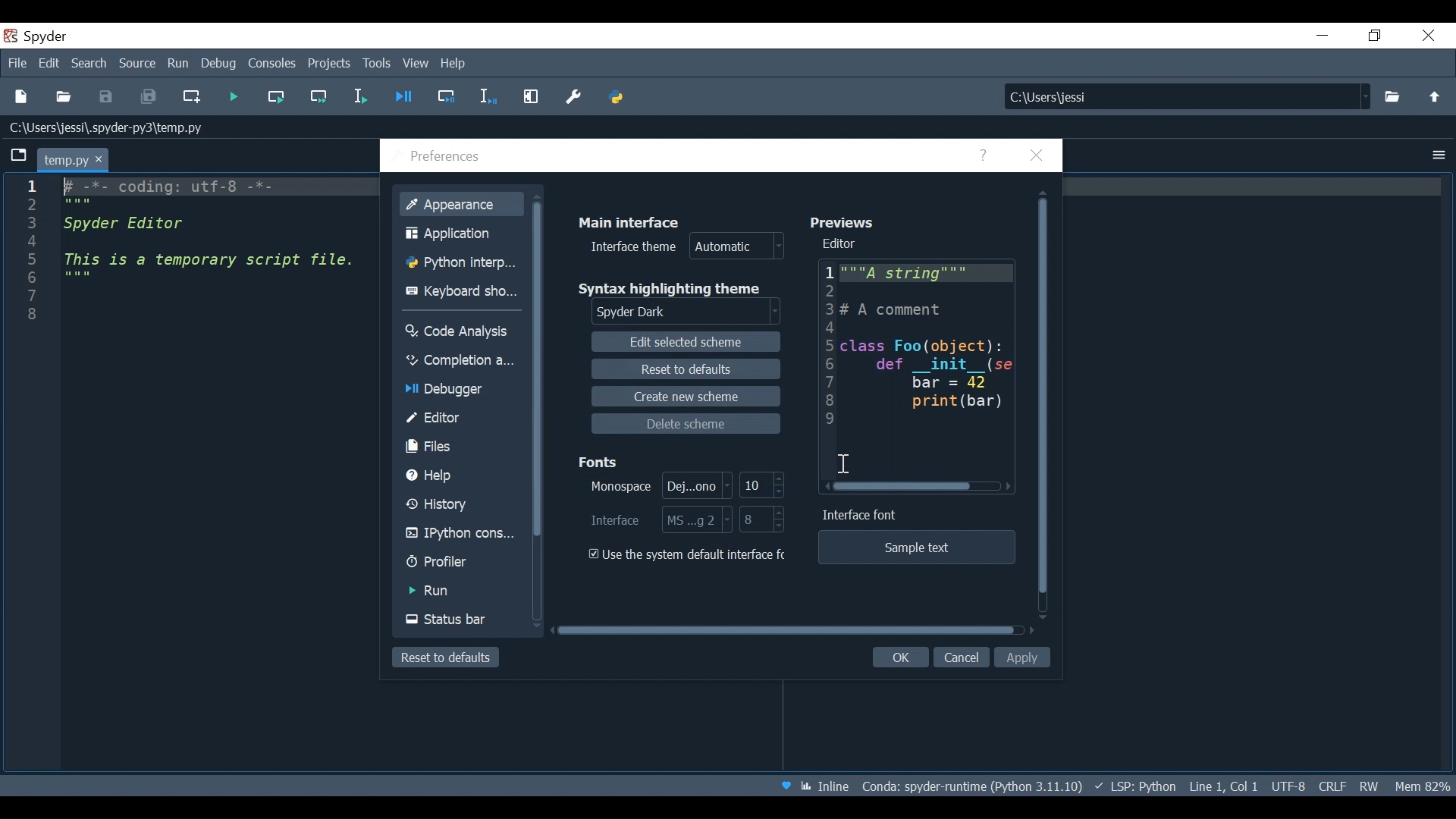 The width and height of the screenshot is (1456, 819). Describe the element at coordinates (192, 97) in the screenshot. I see `Create new file at the current file` at that location.